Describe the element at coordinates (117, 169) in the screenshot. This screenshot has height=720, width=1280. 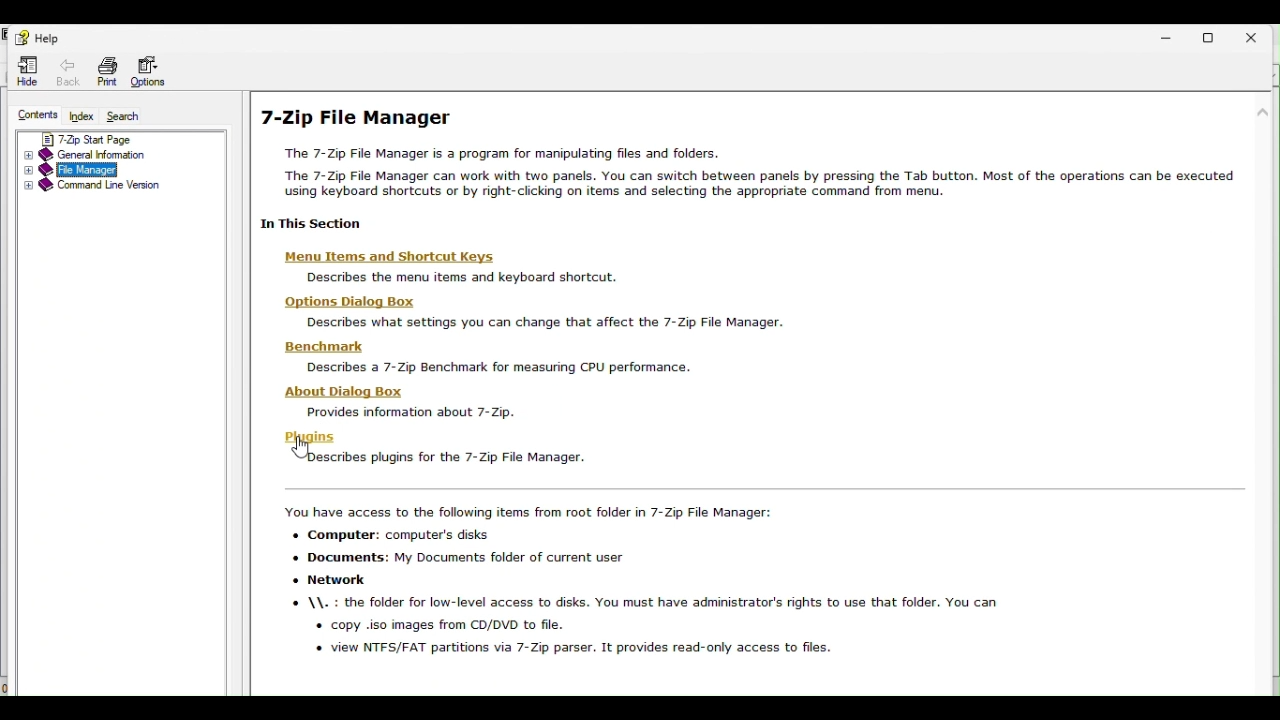
I see `File manager` at that location.